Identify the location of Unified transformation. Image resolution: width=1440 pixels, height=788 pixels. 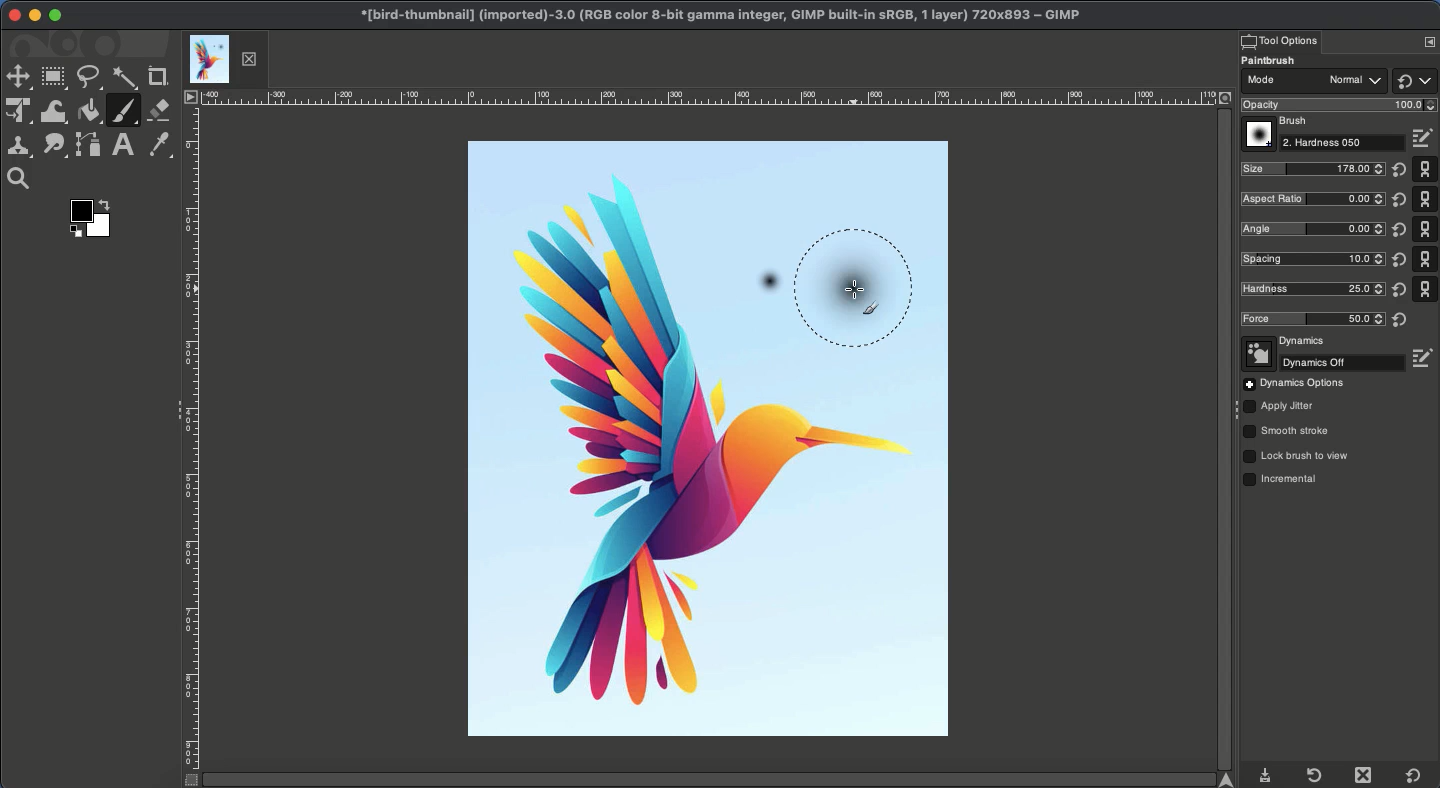
(19, 110).